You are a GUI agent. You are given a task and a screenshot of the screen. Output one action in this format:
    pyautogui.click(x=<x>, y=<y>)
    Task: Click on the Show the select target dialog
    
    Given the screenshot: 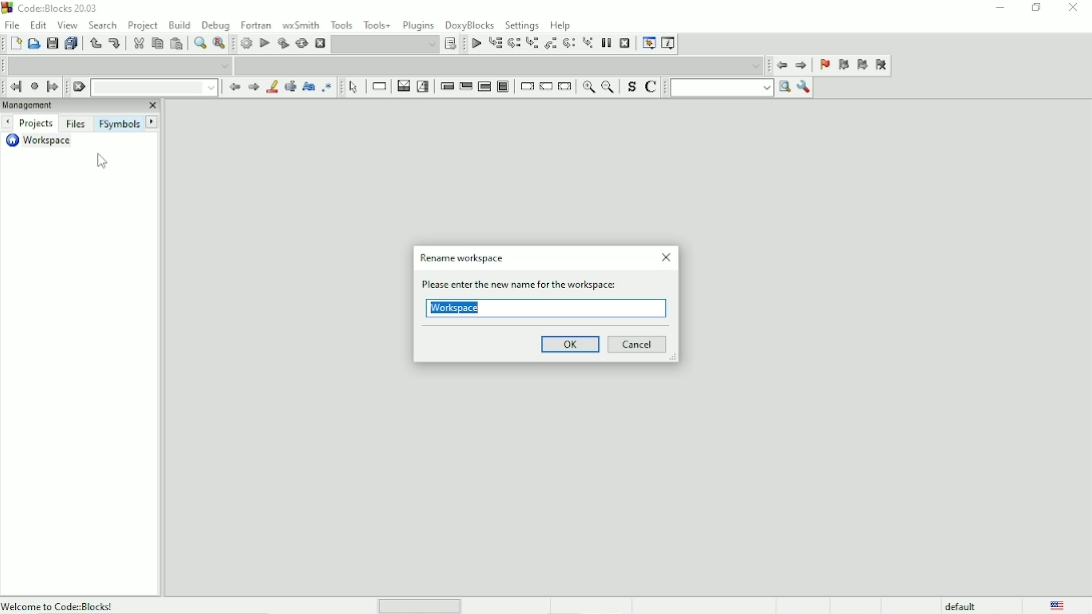 What is the action you would take?
    pyautogui.click(x=451, y=44)
    